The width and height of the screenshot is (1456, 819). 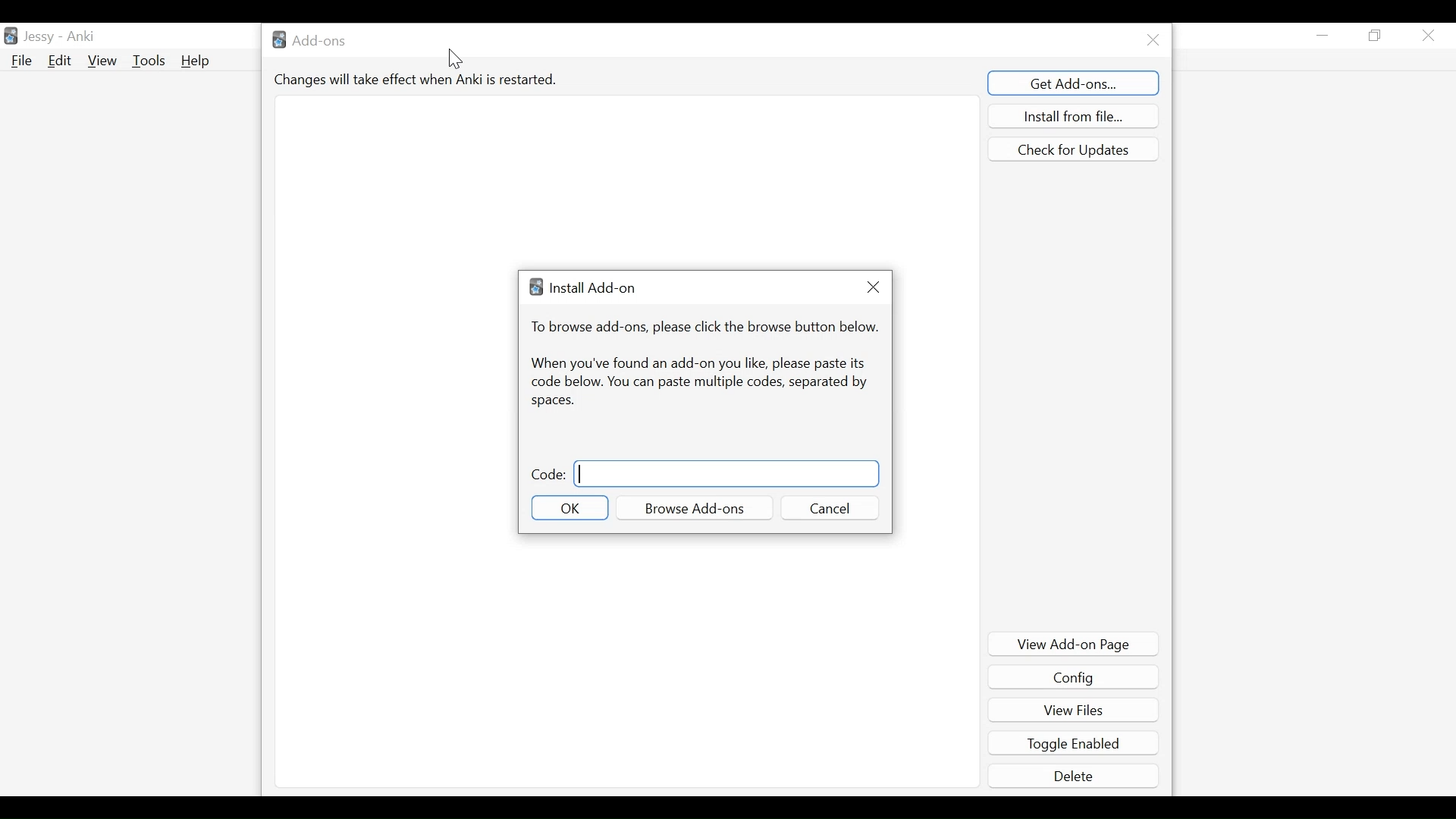 I want to click on File, so click(x=21, y=61).